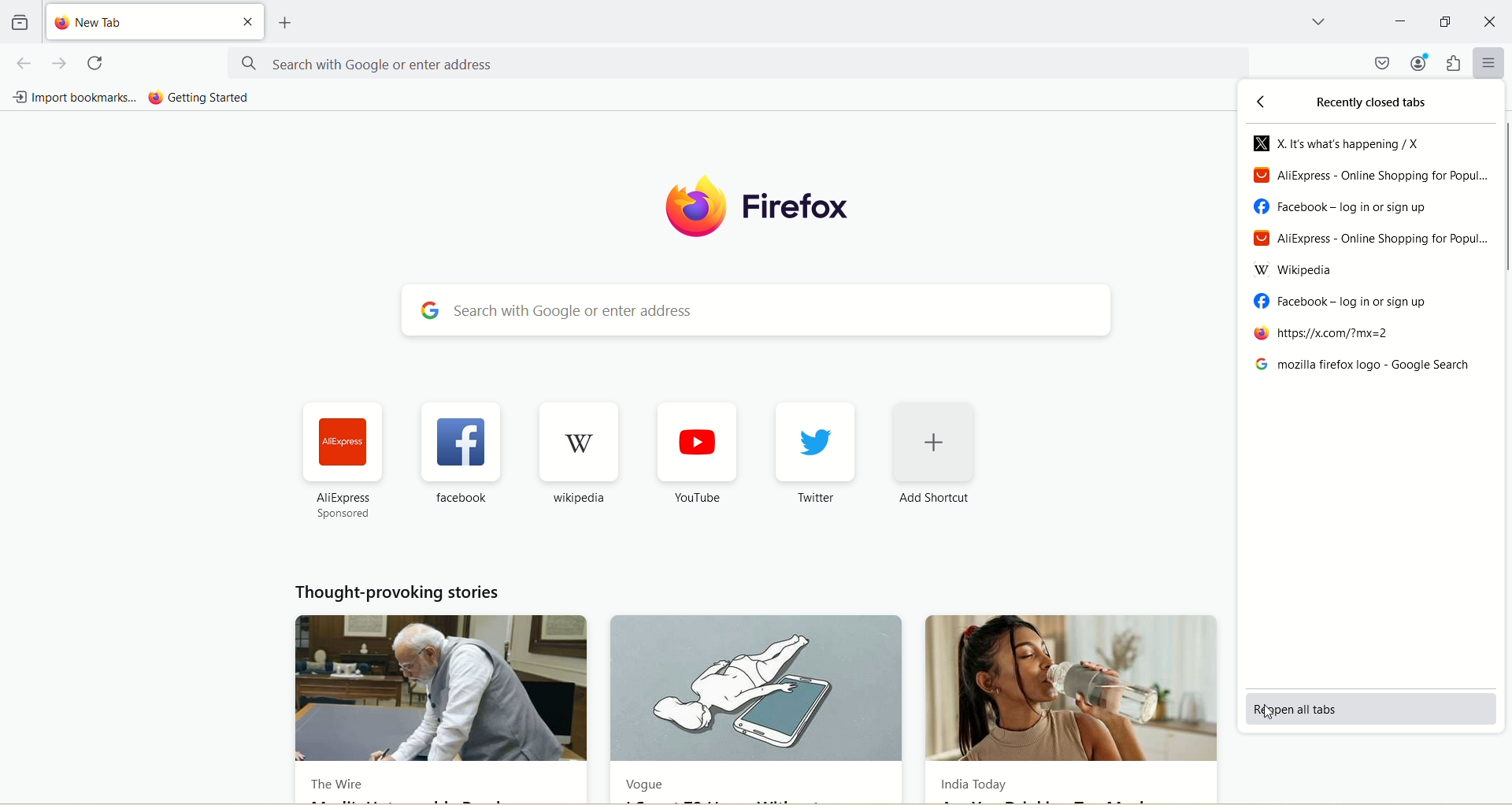  Describe the element at coordinates (75, 98) in the screenshot. I see `import bookmarks` at that location.